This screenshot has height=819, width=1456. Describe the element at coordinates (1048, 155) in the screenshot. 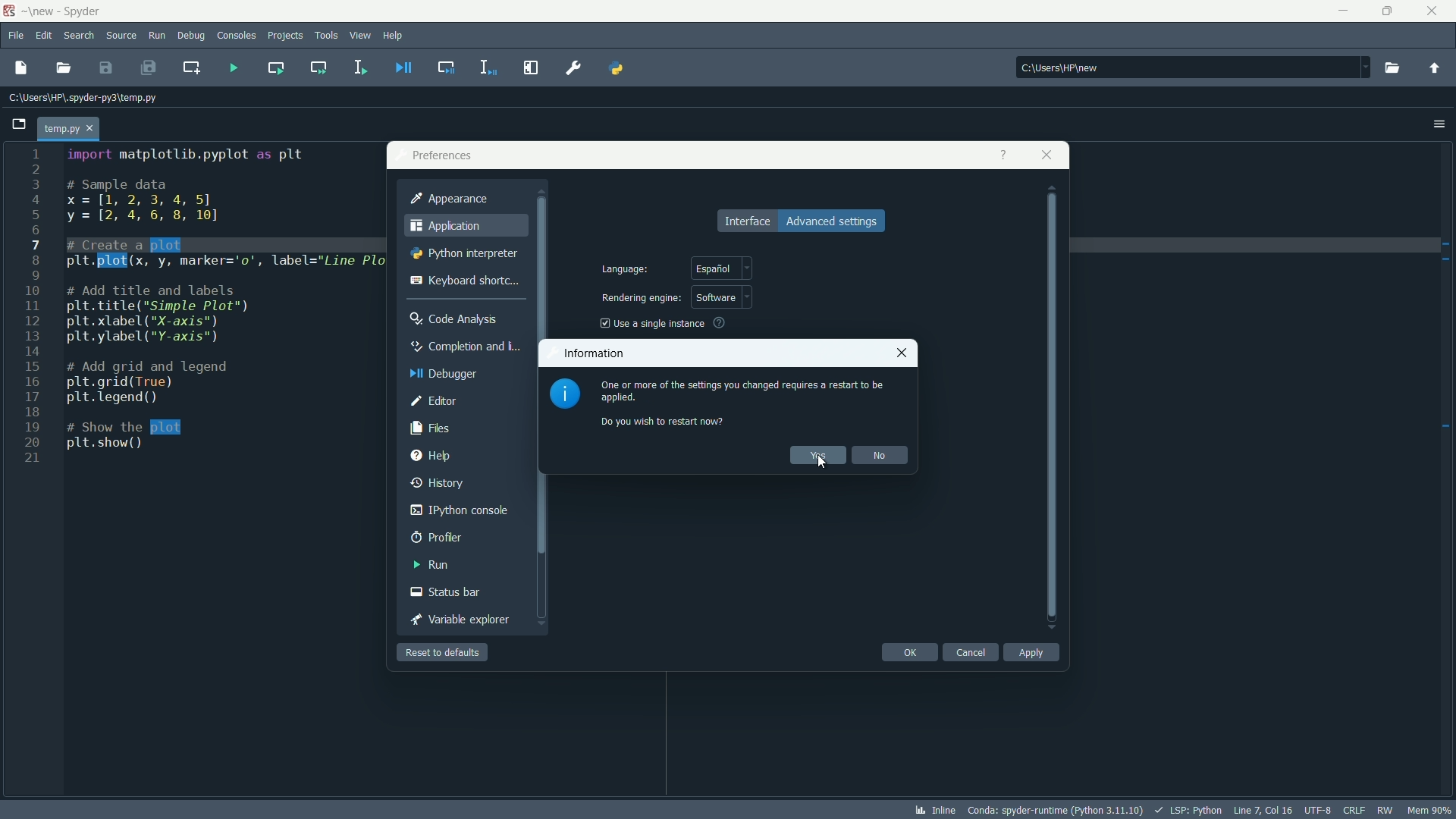

I see `close app` at that location.